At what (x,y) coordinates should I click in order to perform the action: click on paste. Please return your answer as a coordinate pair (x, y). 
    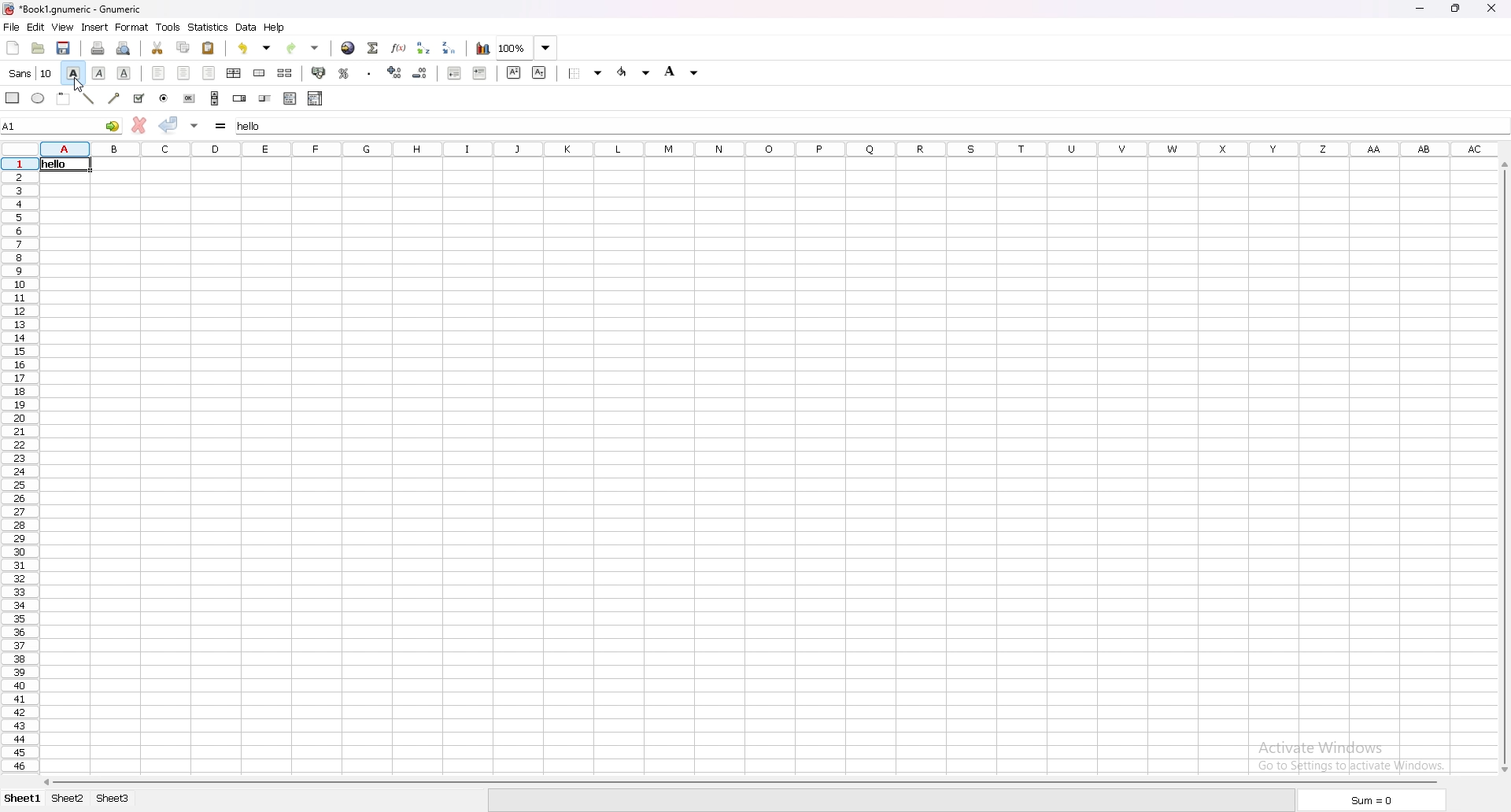
    Looking at the image, I should click on (209, 49).